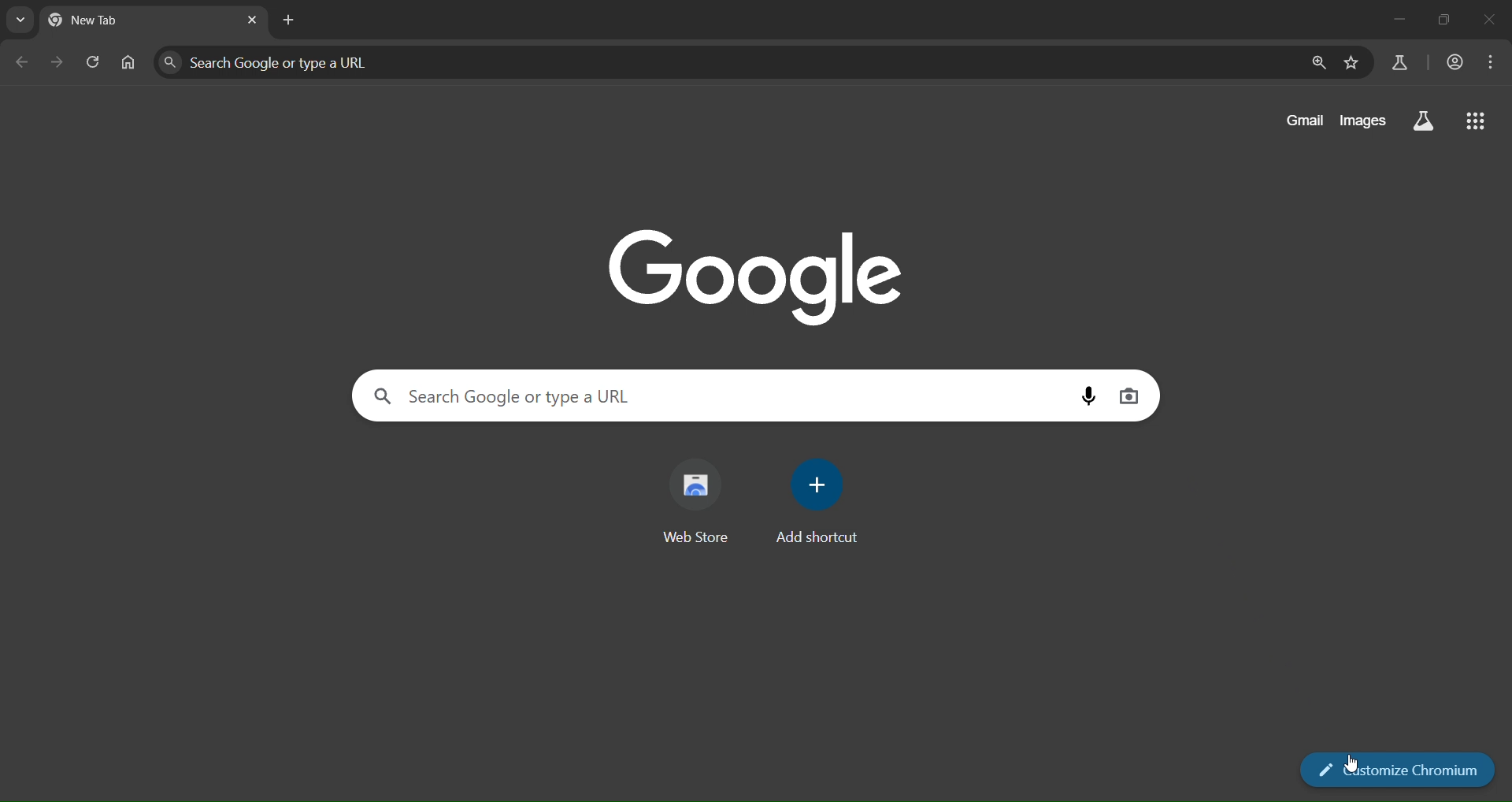 This screenshot has width=1512, height=802. Describe the element at coordinates (1365, 122) in the screenshot. I see `images` at that location.